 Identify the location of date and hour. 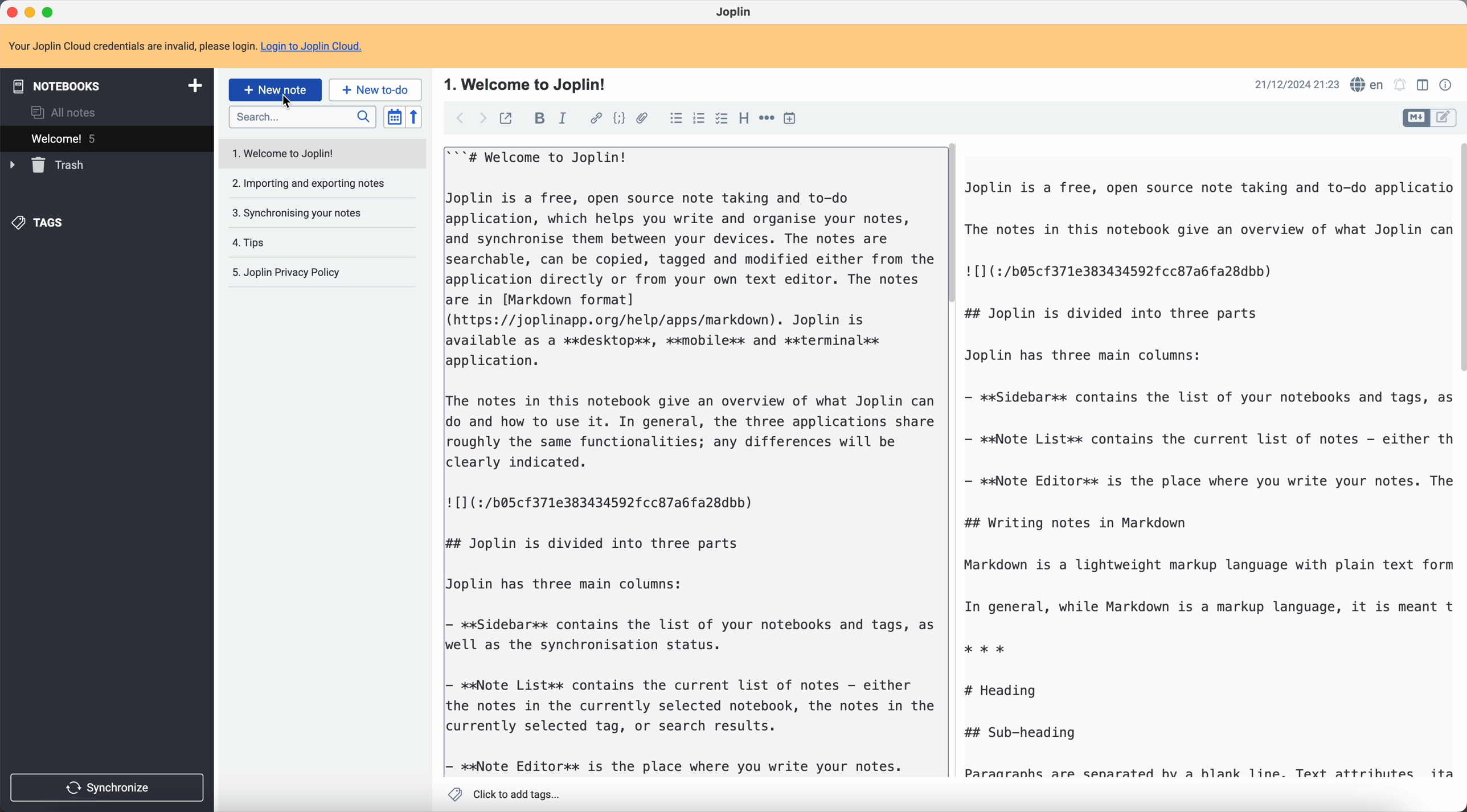
(1296, 84).